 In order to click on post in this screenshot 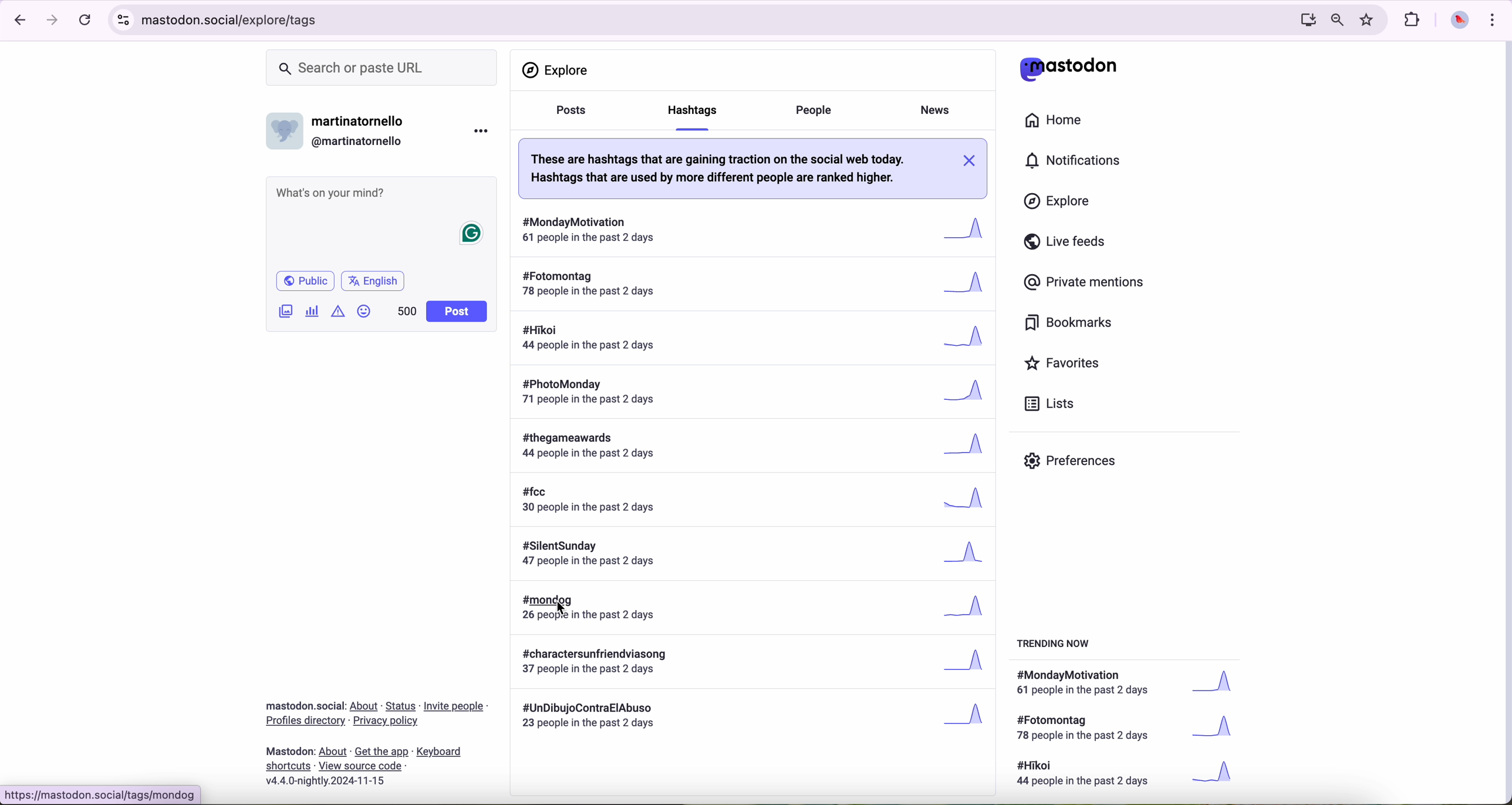, I will do `click(458, 312)`.